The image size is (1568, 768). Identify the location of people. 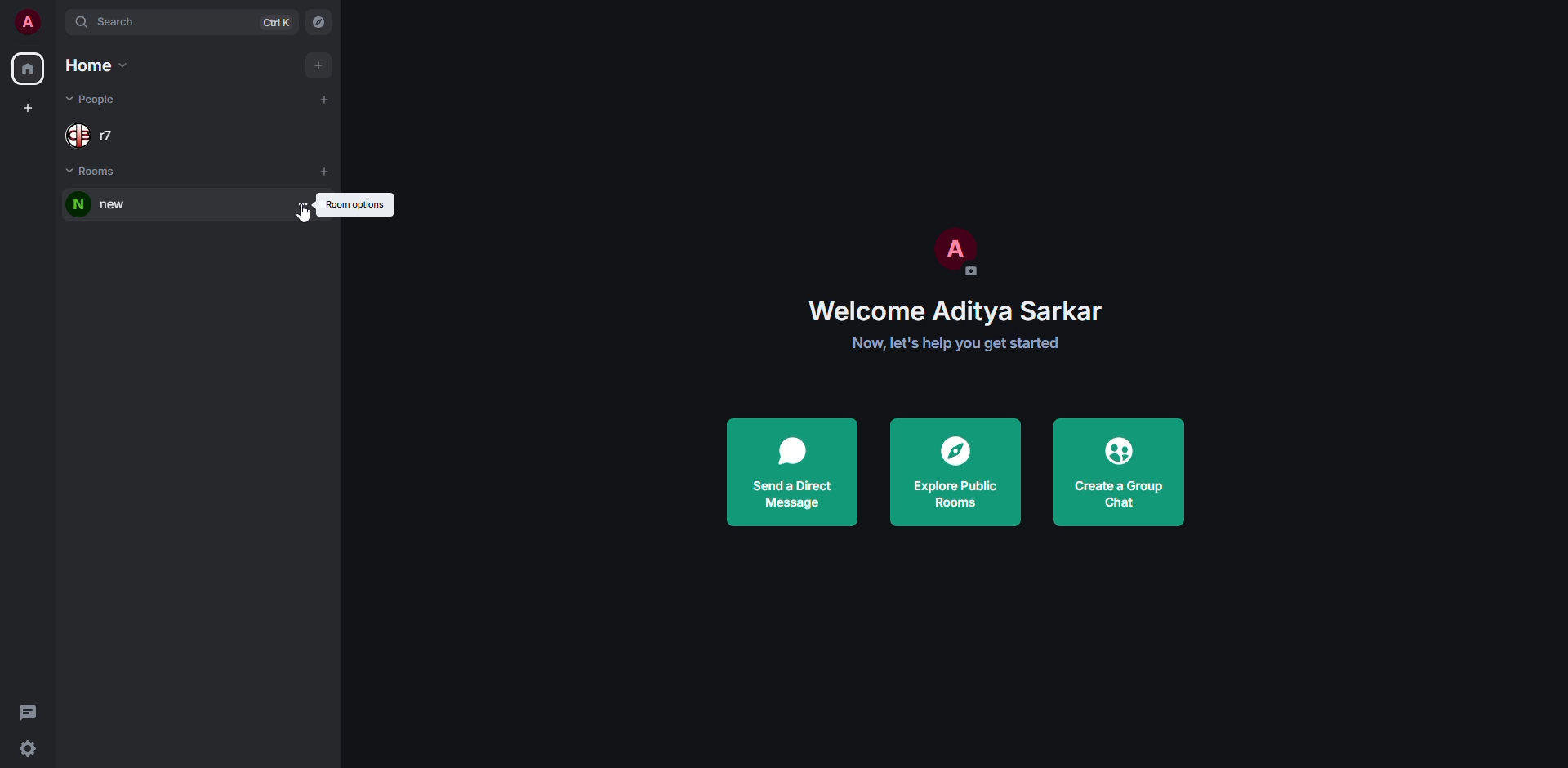
(95, 132).